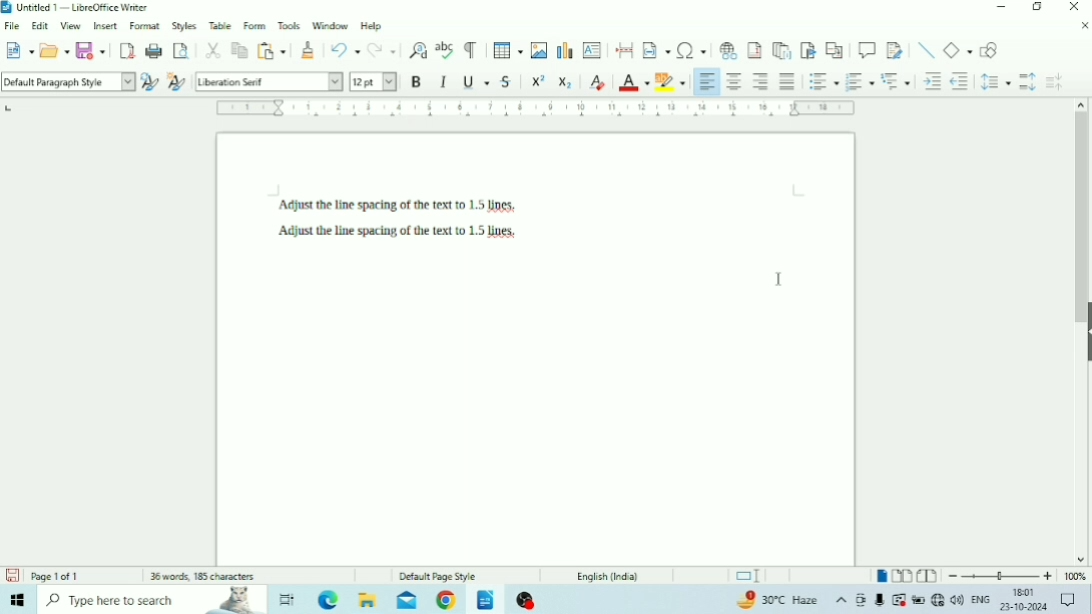  Describe the element at coordinates (862, 600) in the screenshot. I see `Meet Now` at that location.